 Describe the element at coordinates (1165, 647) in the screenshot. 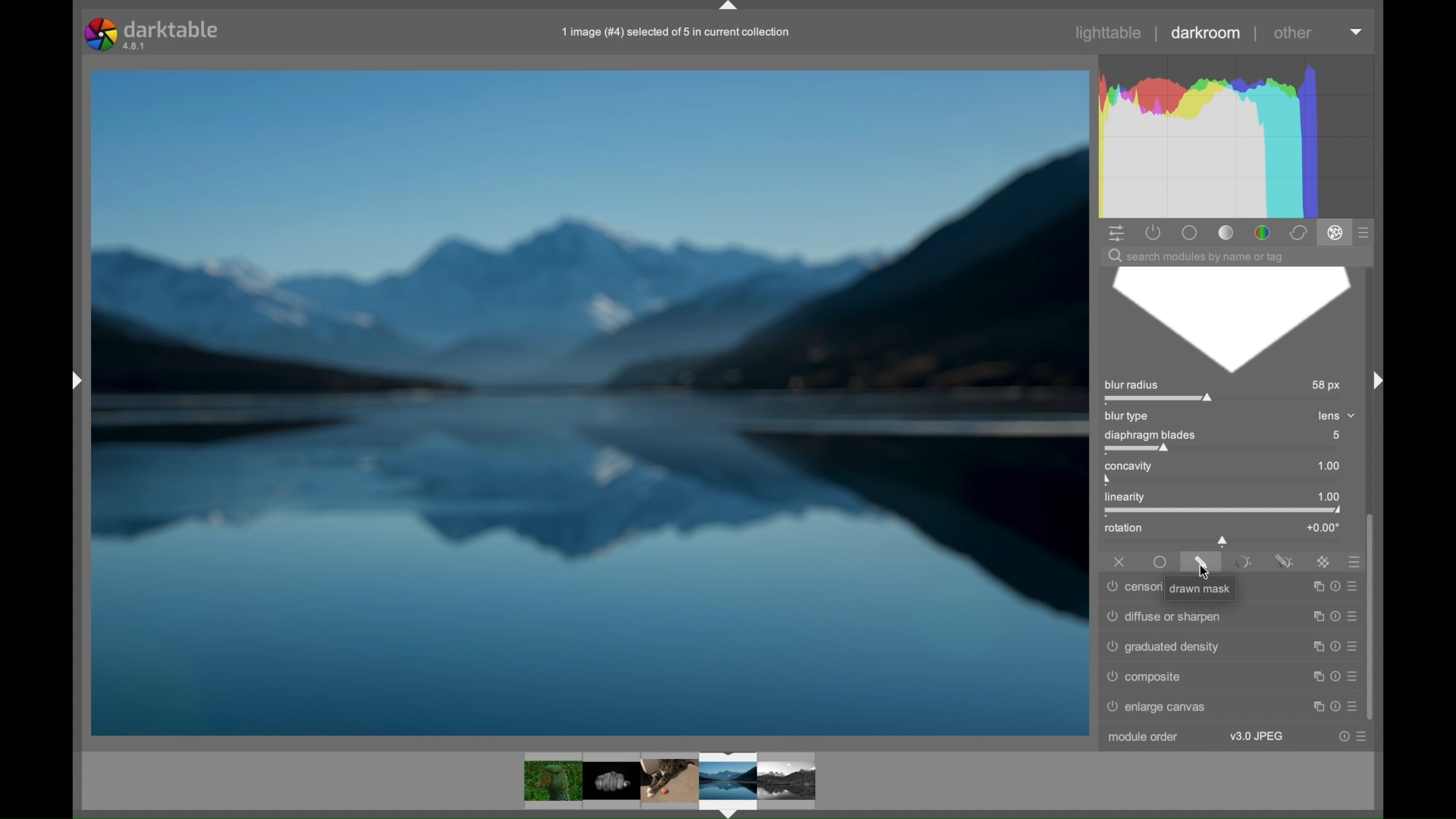

I see `graduated density` at that location.